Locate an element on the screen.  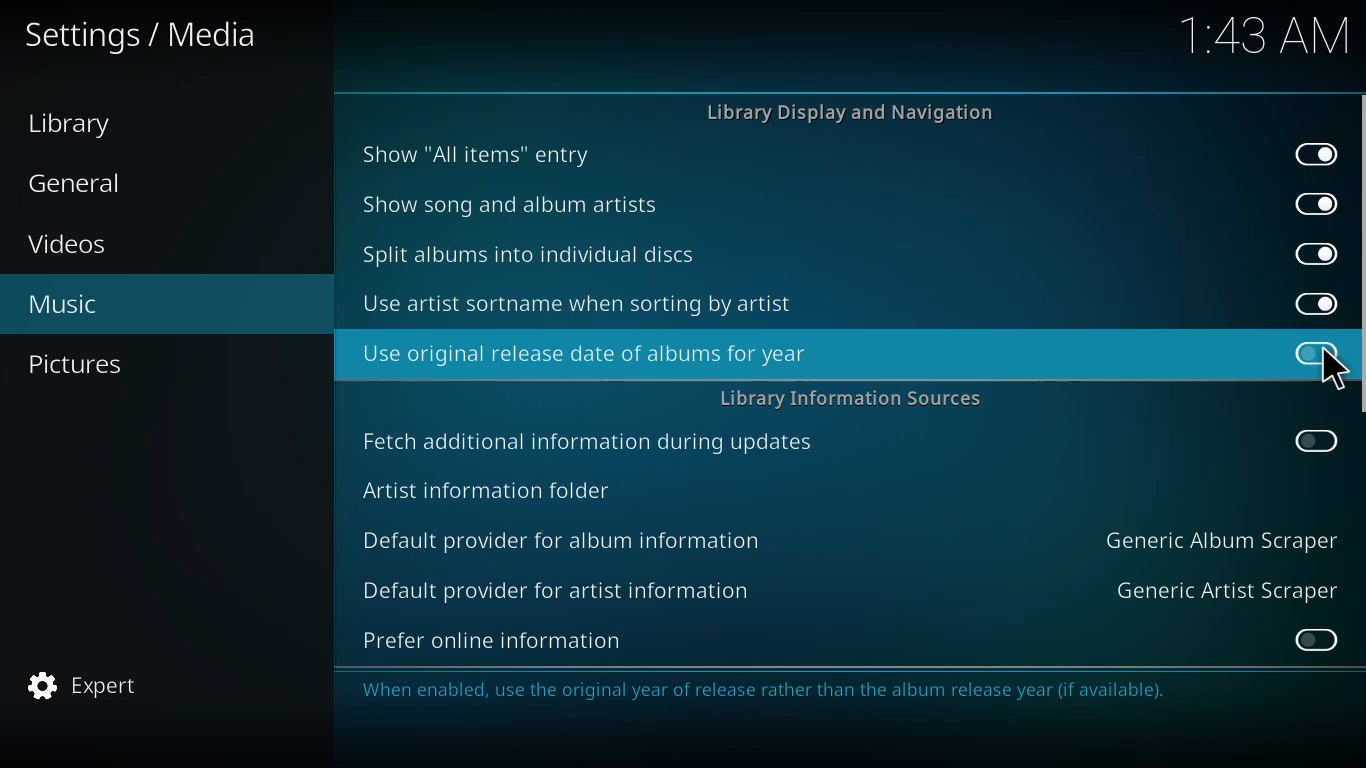
time is located at coordinates (1258, 36).